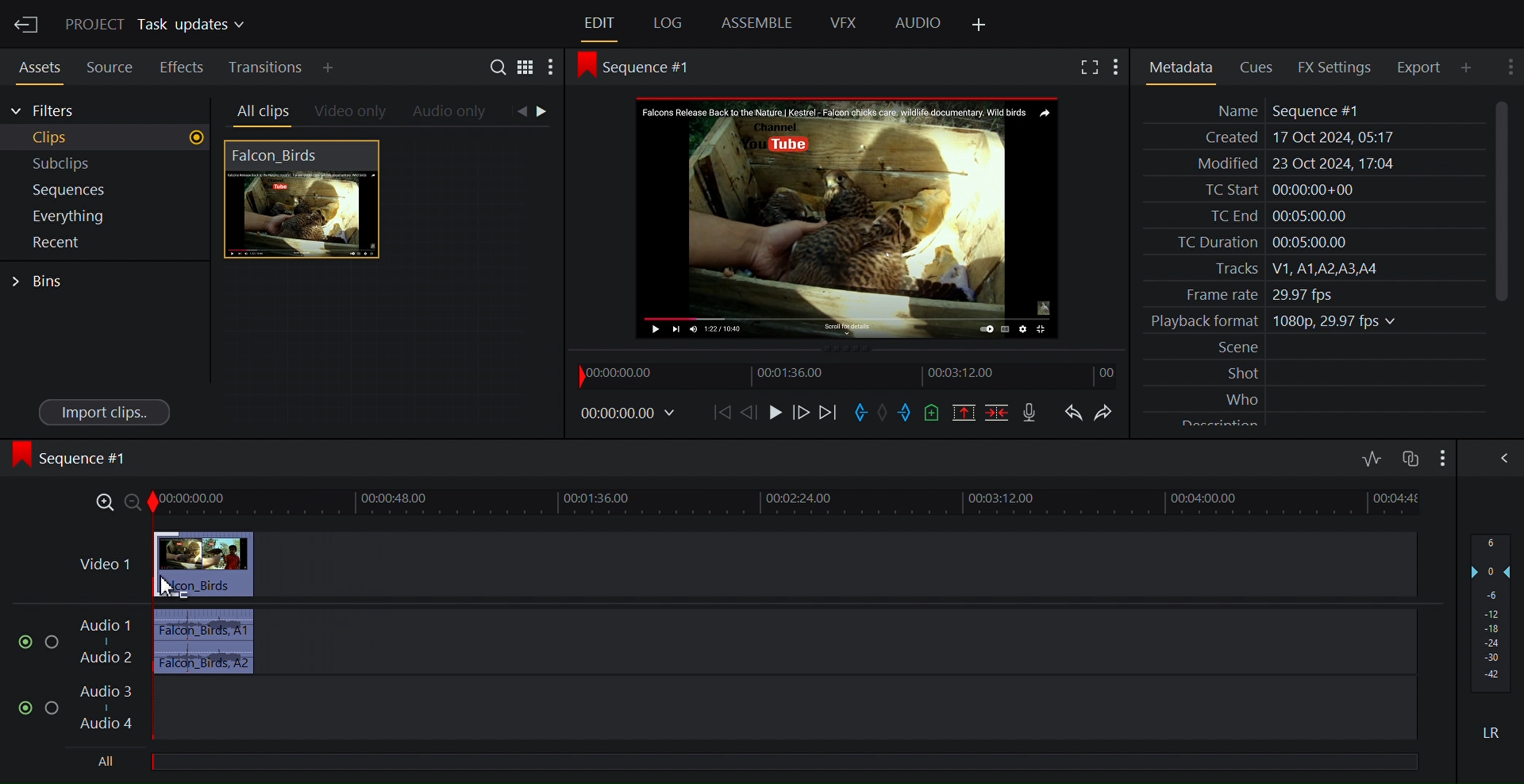 This screenshot has height=784, width=1524. What do you see at coordinates (1312, 243) in the screenshot?
I see `TC Duration` at bounding box center [1312, 243].